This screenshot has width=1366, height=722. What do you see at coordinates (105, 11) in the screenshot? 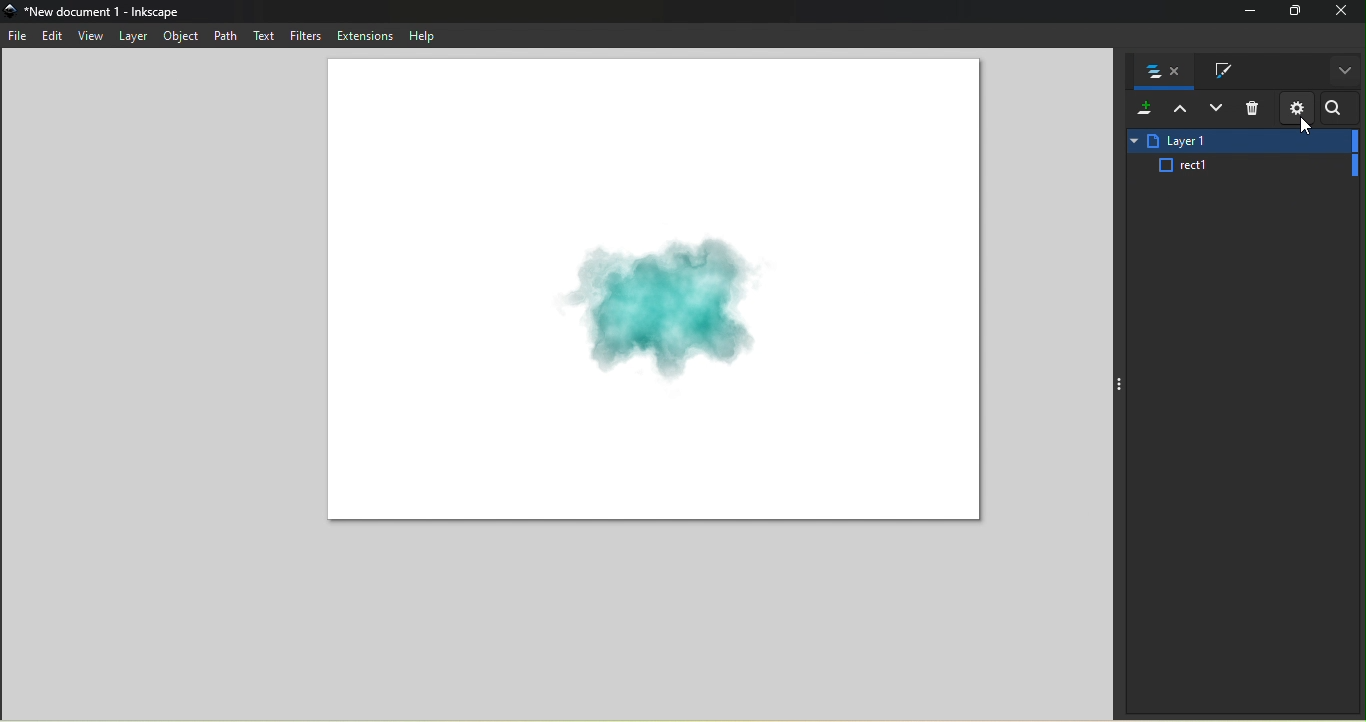
I see ` *New document 1 - Inkscape` at bounding box center [105, 11].